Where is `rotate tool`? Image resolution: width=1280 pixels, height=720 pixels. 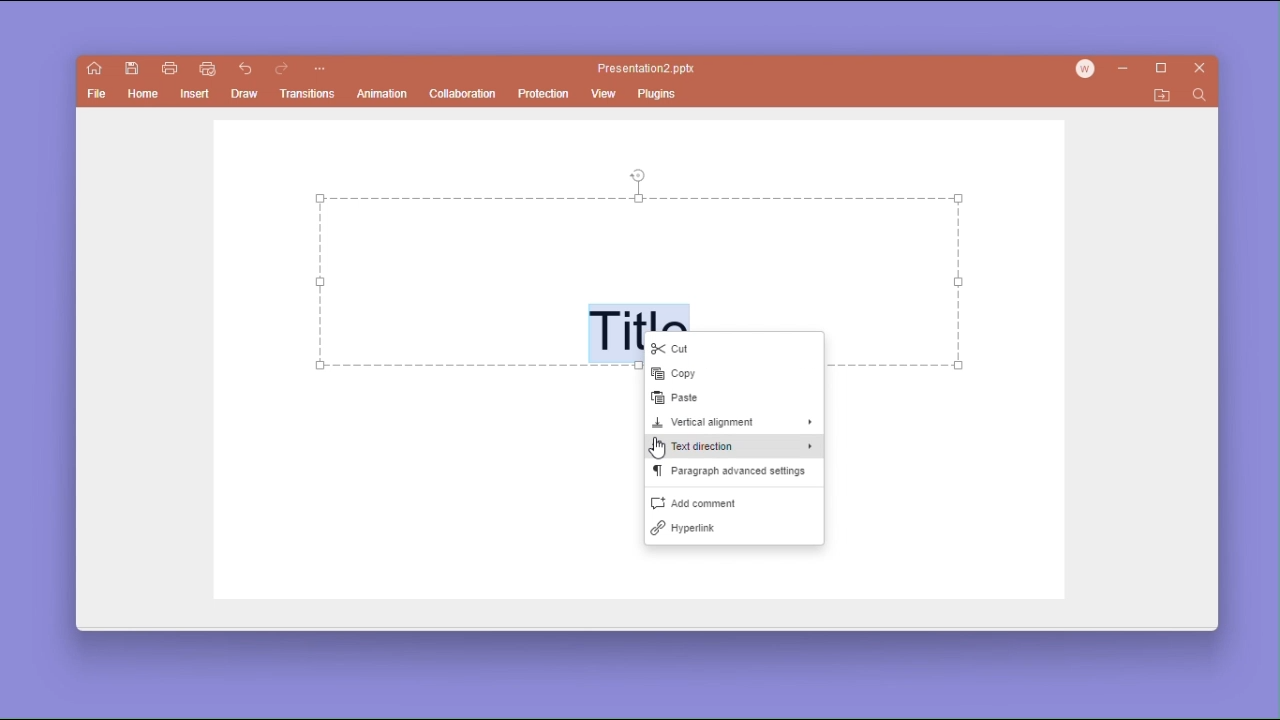
rotate tool is located at coordinates (639, 174).